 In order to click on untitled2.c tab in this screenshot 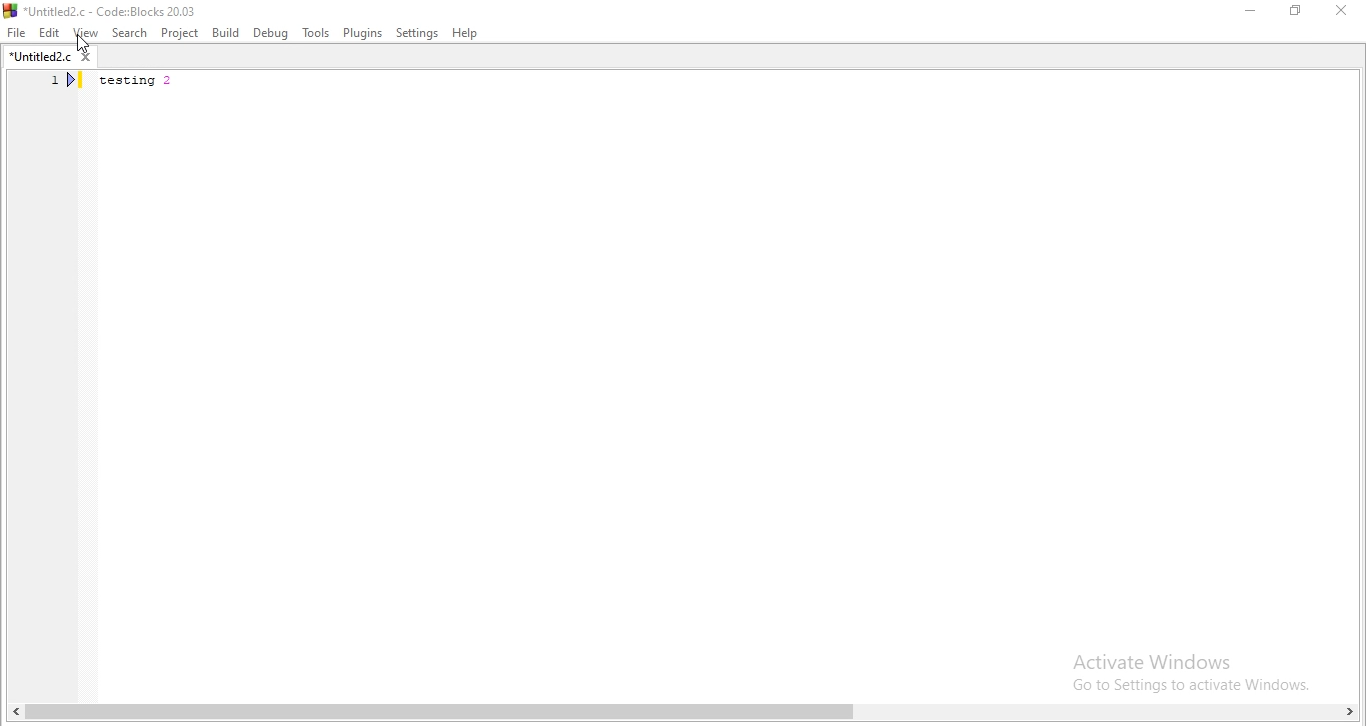, I will do `click(50, 58)`.